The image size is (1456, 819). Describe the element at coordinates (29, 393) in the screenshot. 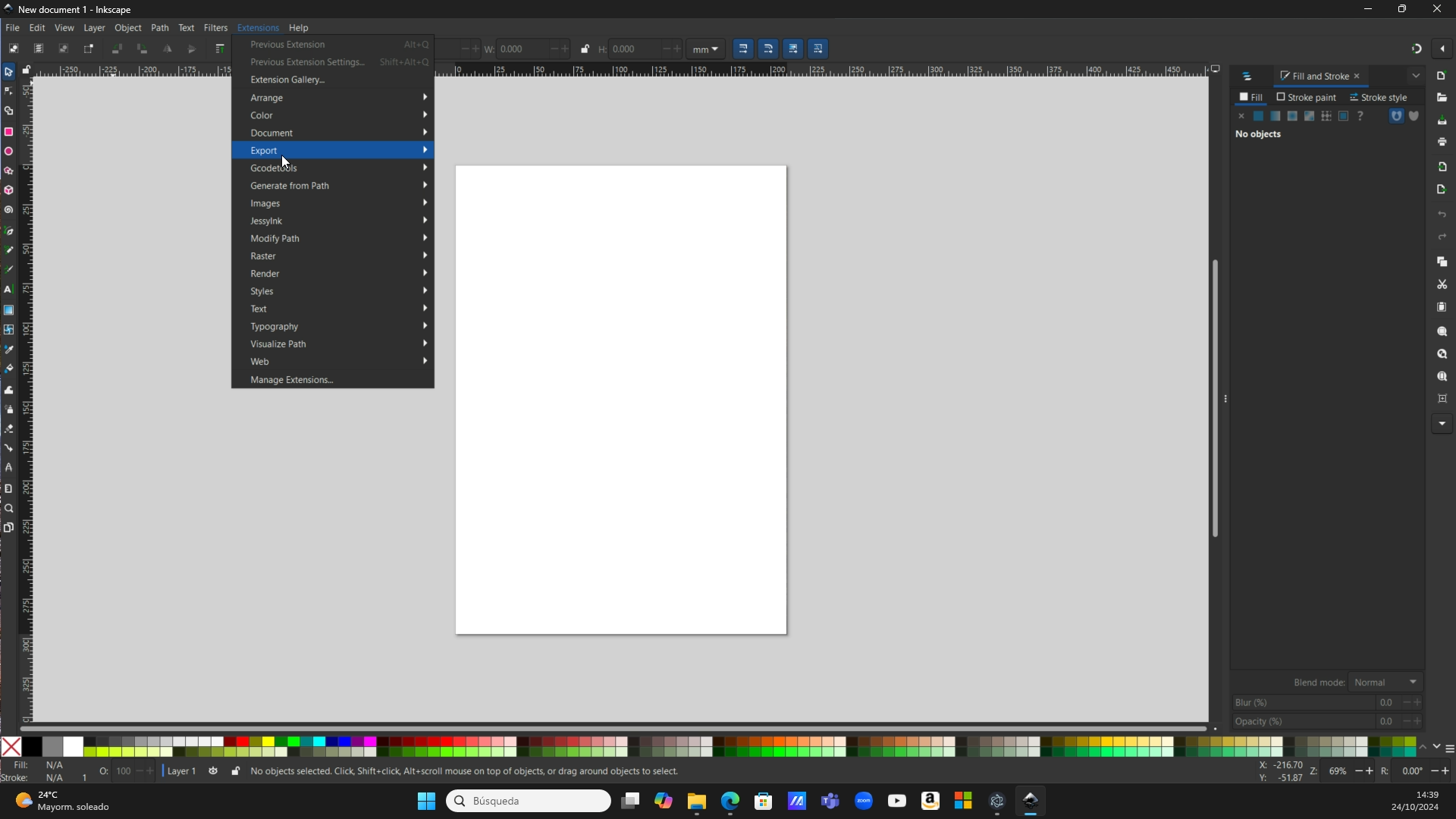

I see `vertical scale` at that location.